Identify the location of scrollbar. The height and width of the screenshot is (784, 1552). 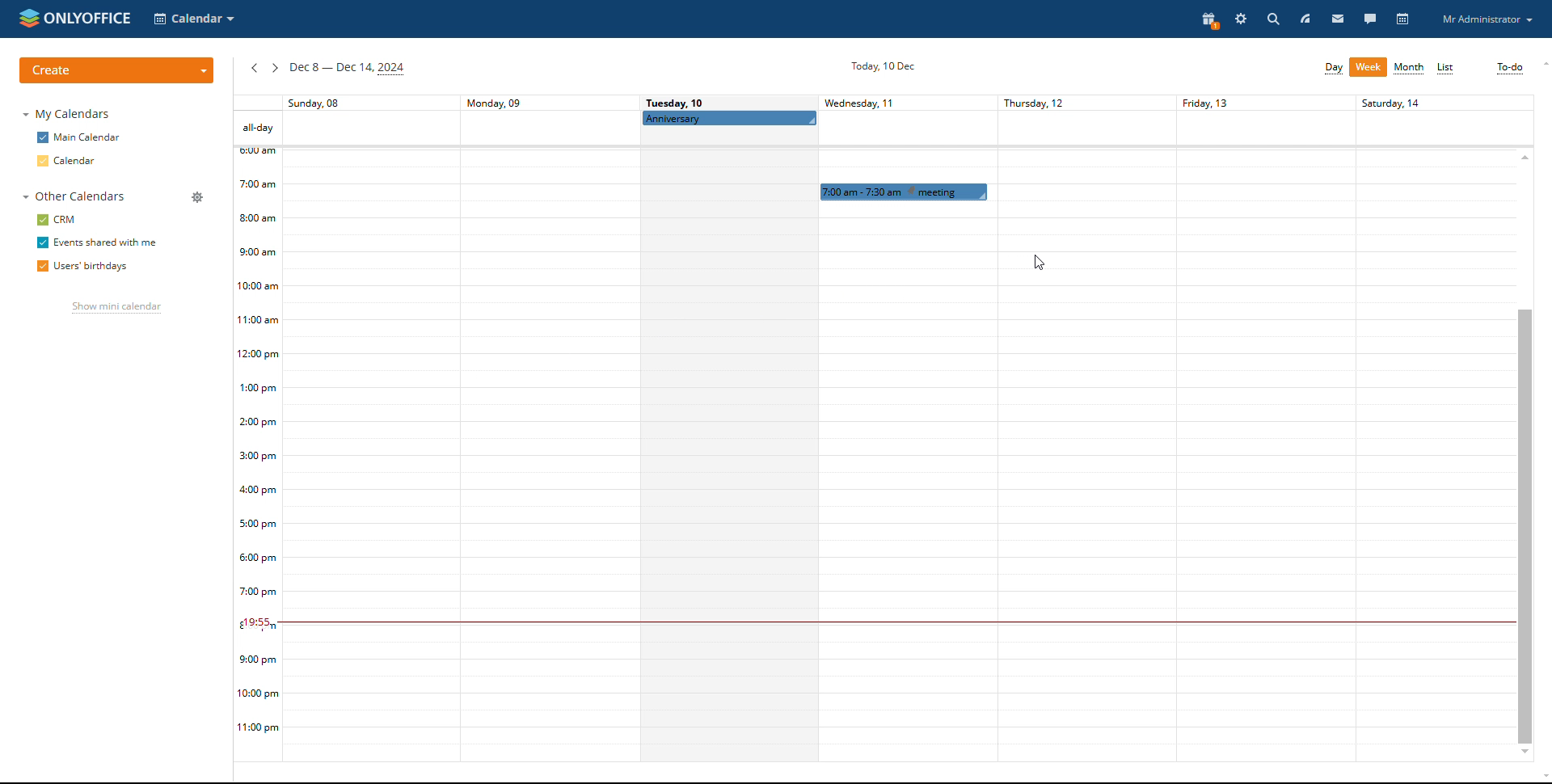
(1525, 525).